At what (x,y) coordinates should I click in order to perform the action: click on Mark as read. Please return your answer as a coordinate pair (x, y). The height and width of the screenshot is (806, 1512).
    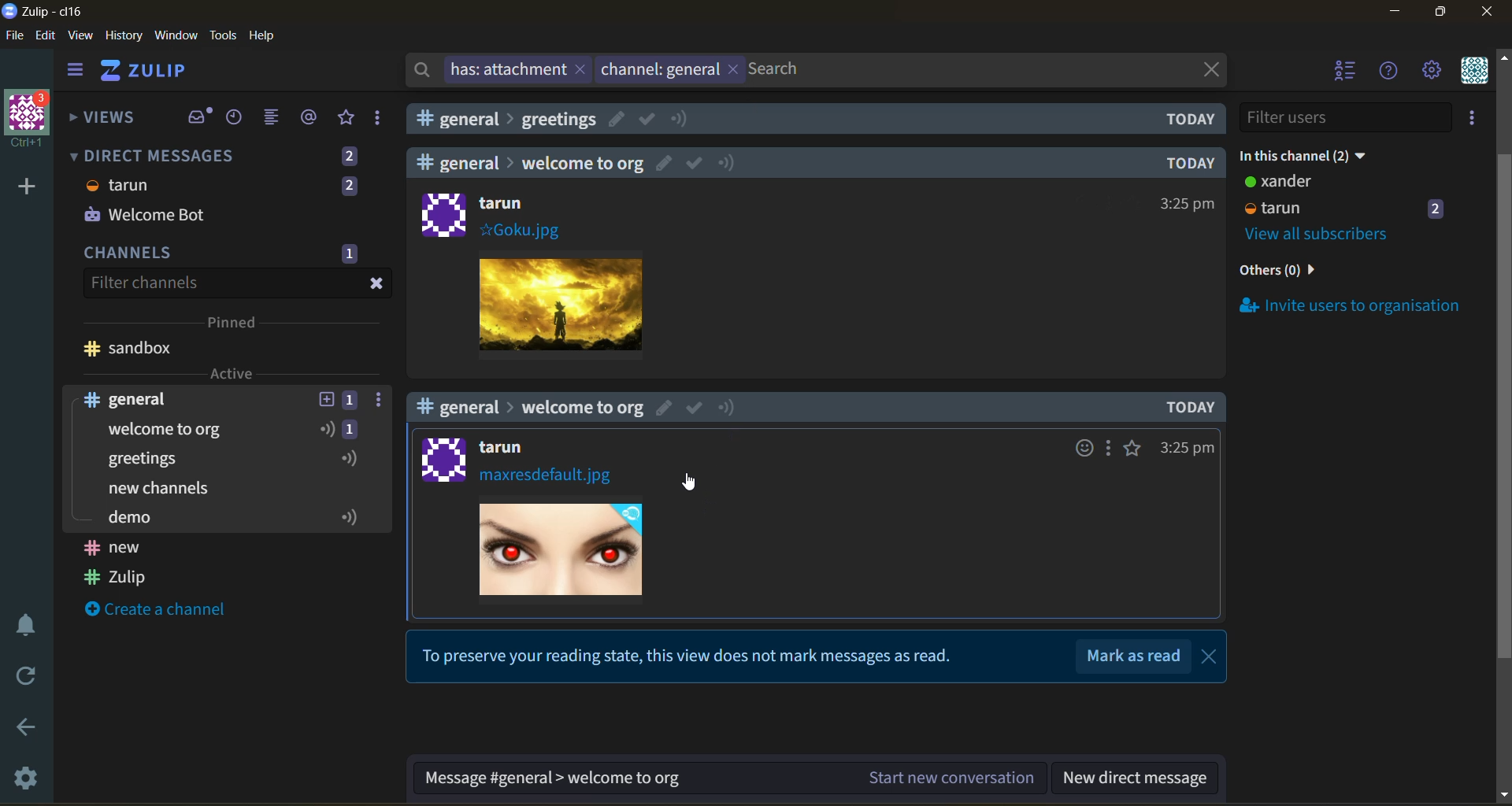
    Looking at the image, I should click on (1136, 655).